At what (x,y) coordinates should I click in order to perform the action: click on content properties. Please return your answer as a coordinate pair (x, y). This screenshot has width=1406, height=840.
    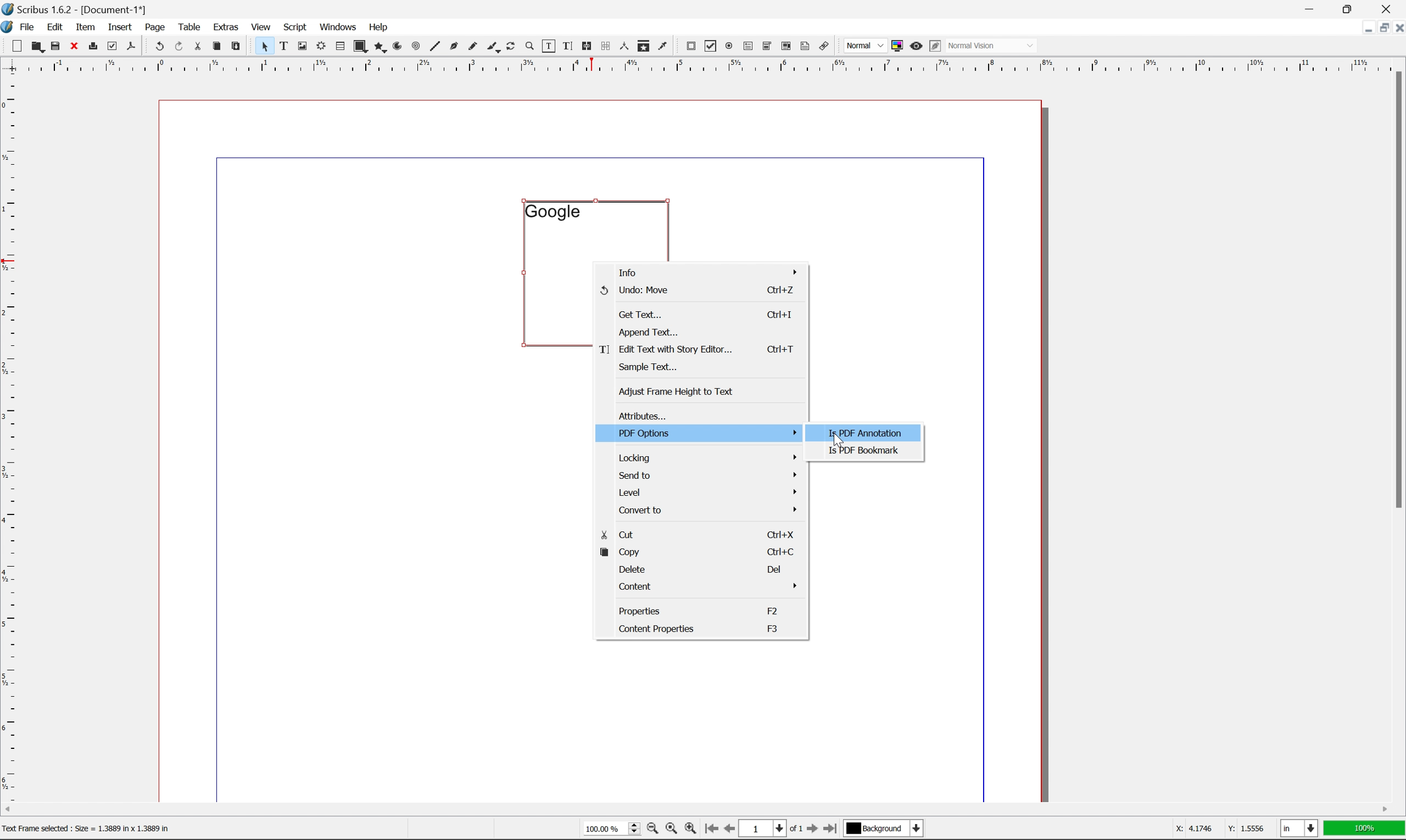
    Looking at the image, I should click on (657, 630).